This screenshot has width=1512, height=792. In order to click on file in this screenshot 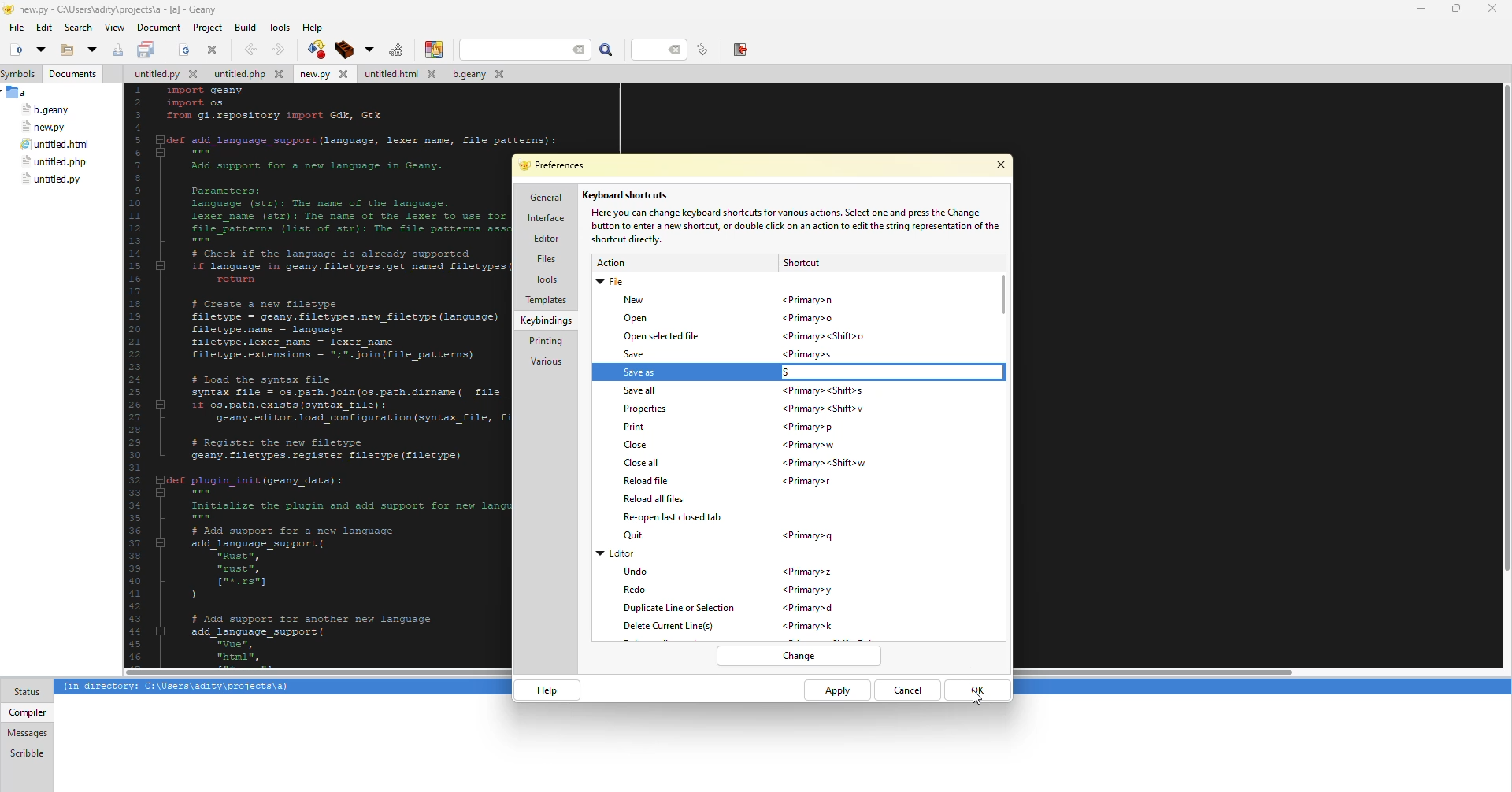, I will do `click(45, 127)`.